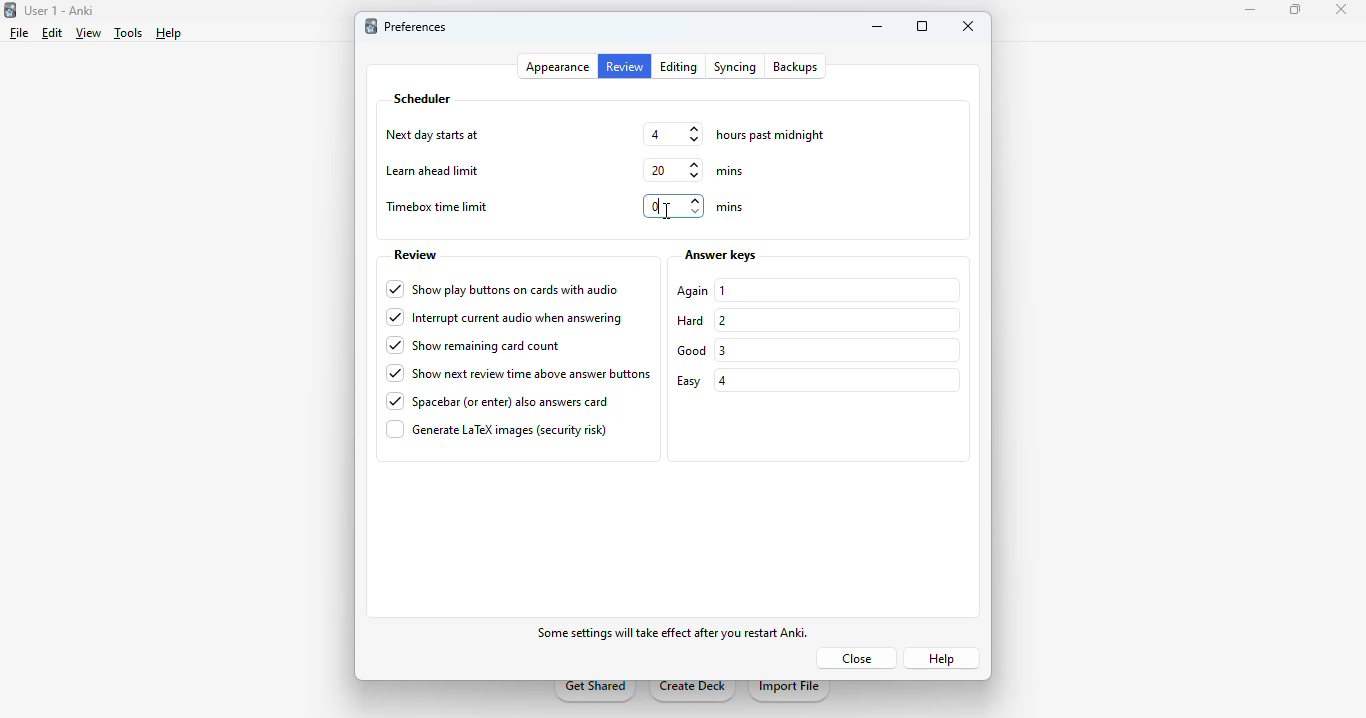  What do you see at coordinates (60, 11) in the screenshot?
I see `User 1 - Anki` at bounding box center [60, 11].